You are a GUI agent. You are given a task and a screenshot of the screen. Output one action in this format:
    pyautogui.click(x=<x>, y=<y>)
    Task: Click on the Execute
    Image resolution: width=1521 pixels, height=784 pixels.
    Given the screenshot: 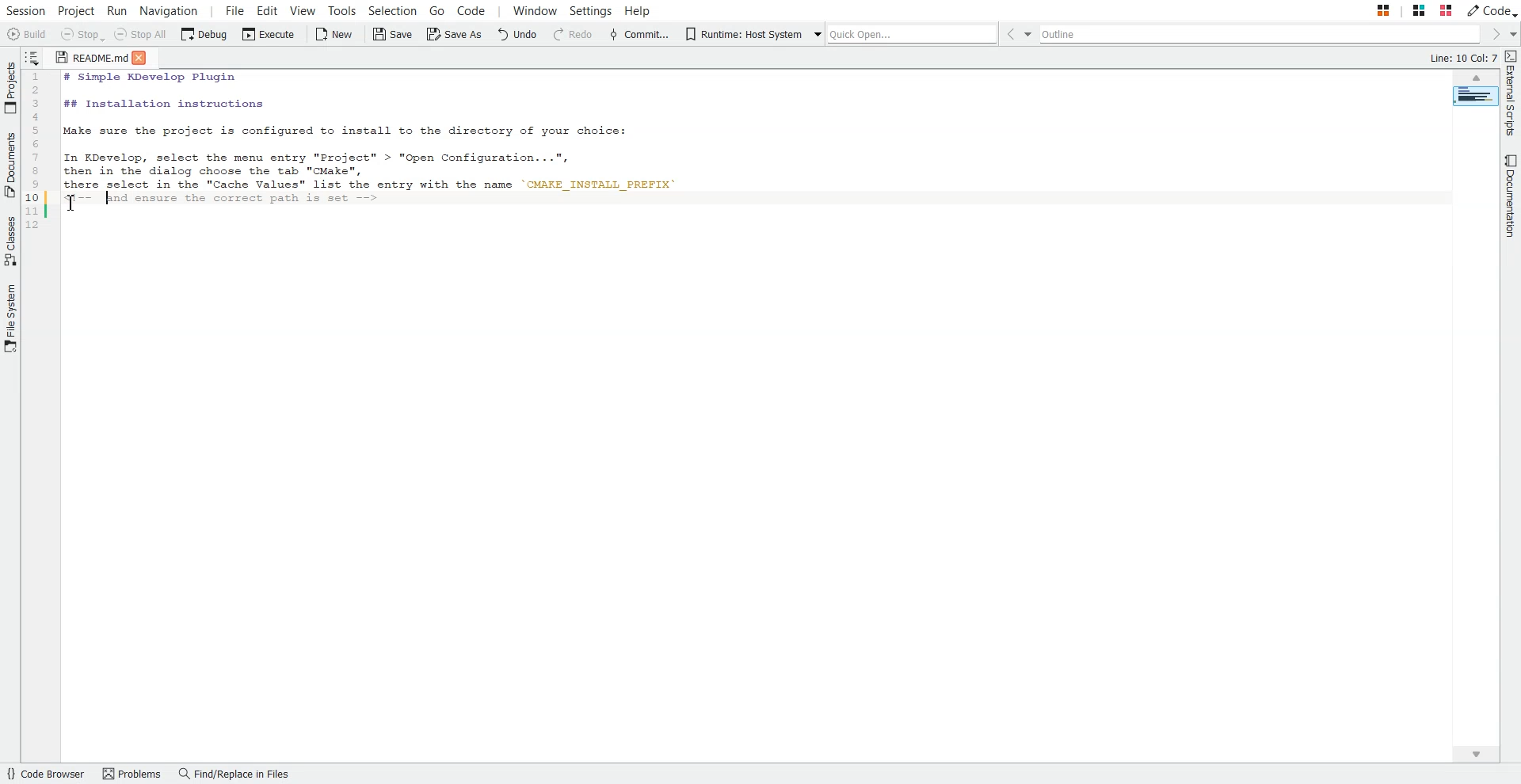 What is the action you would take?
    pyautogui.click(x=269, y=35)
    